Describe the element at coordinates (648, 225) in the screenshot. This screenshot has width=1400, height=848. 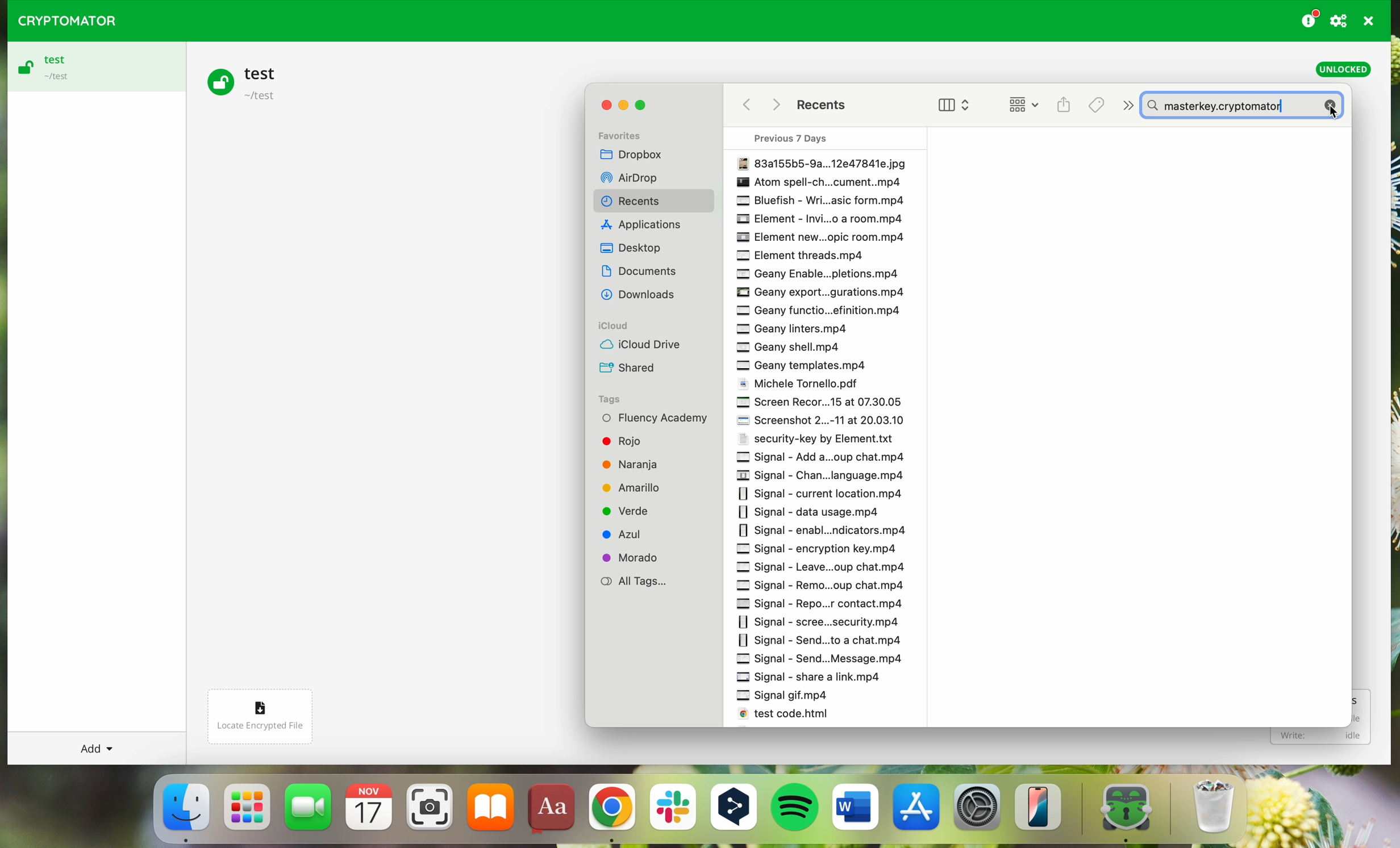
I see `` at that location.